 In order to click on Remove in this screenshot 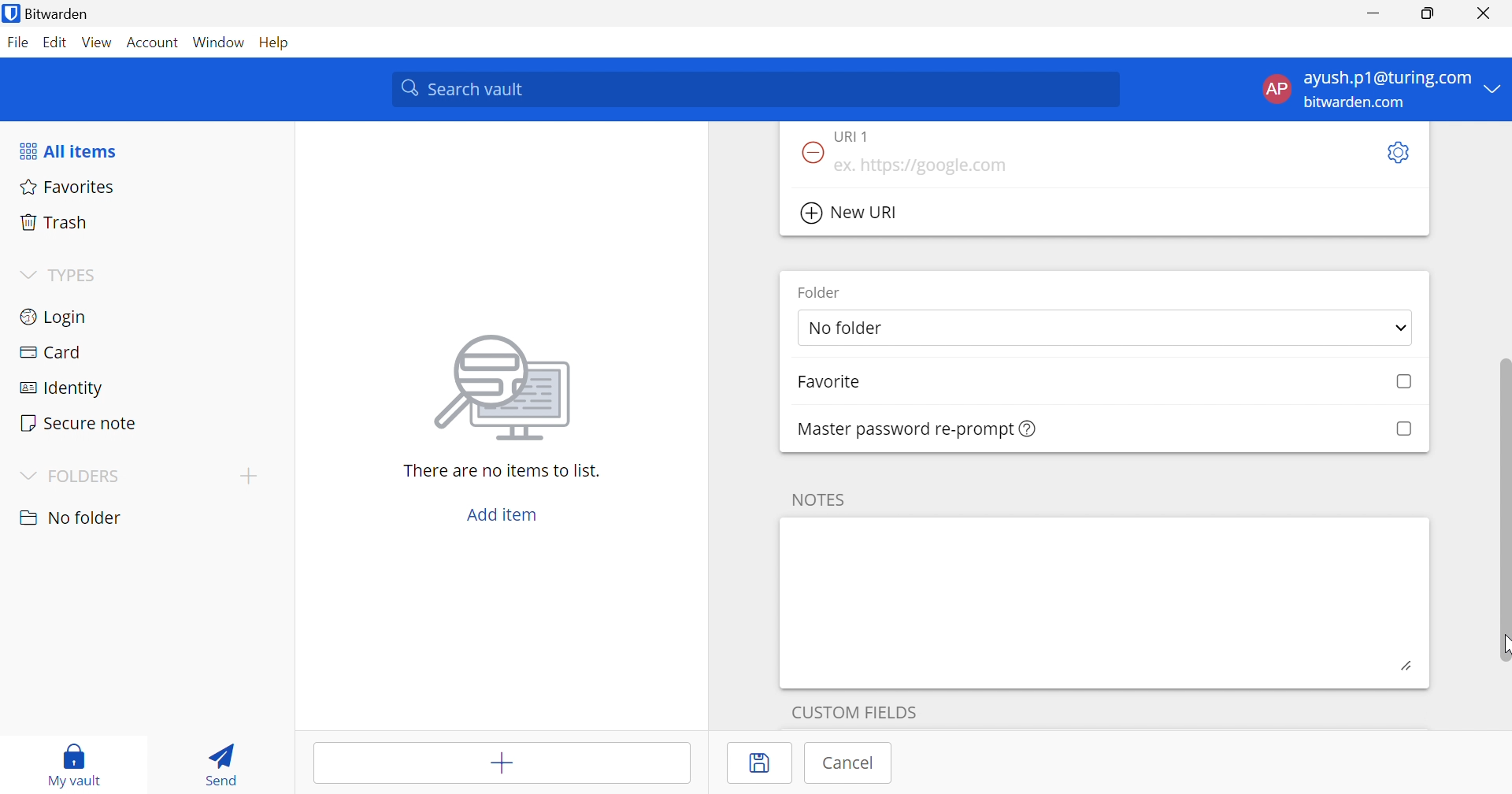, I will do `click(810, 154)`.